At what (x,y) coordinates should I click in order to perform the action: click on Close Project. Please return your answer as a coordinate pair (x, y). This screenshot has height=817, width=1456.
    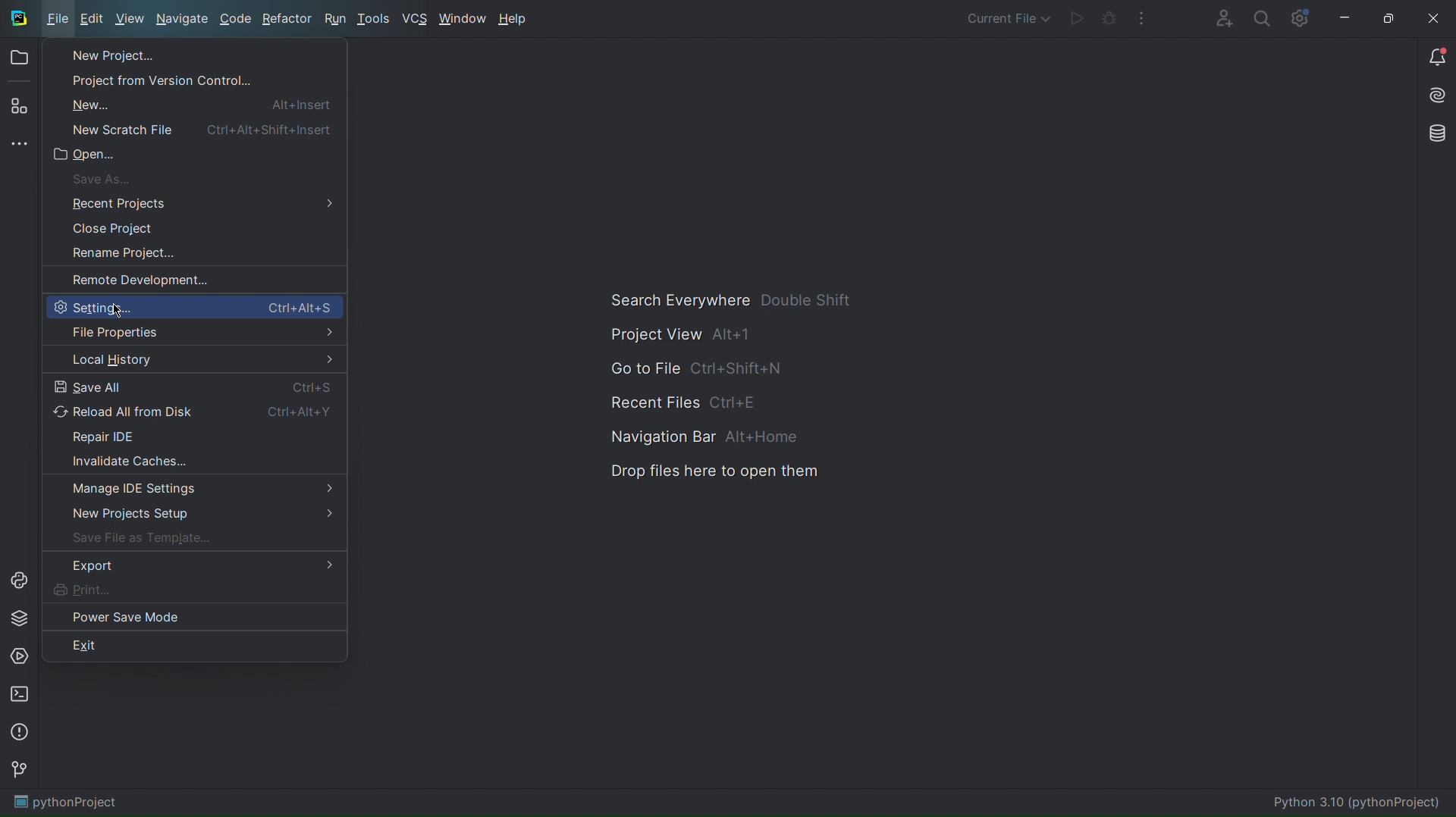
    Looking at the image, I should click on (116, 227).